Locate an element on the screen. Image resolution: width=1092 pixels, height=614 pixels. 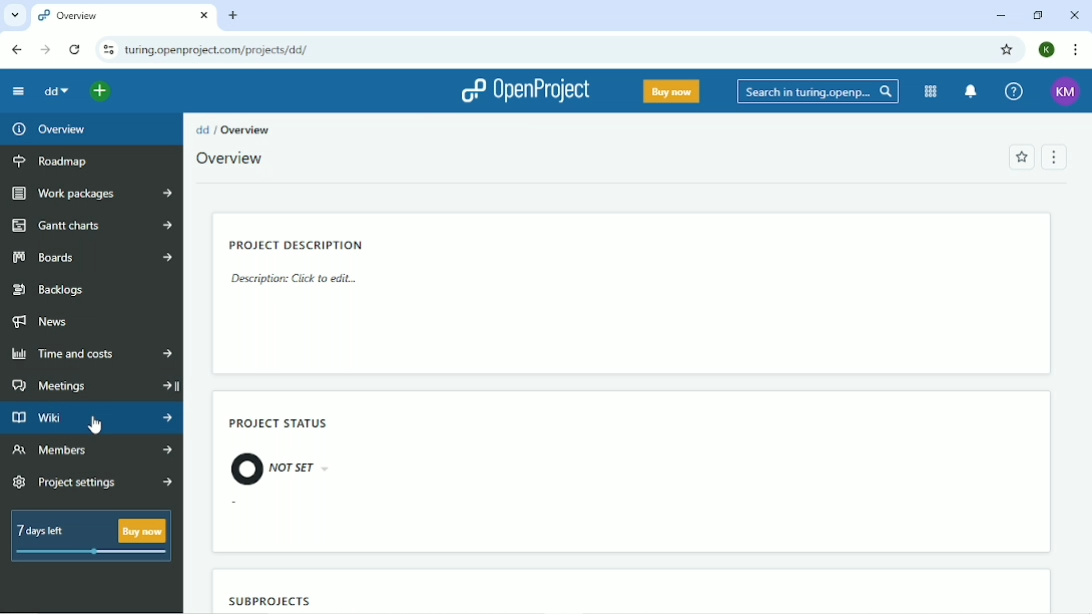
Roadmap is located at coordinates (55, 161).